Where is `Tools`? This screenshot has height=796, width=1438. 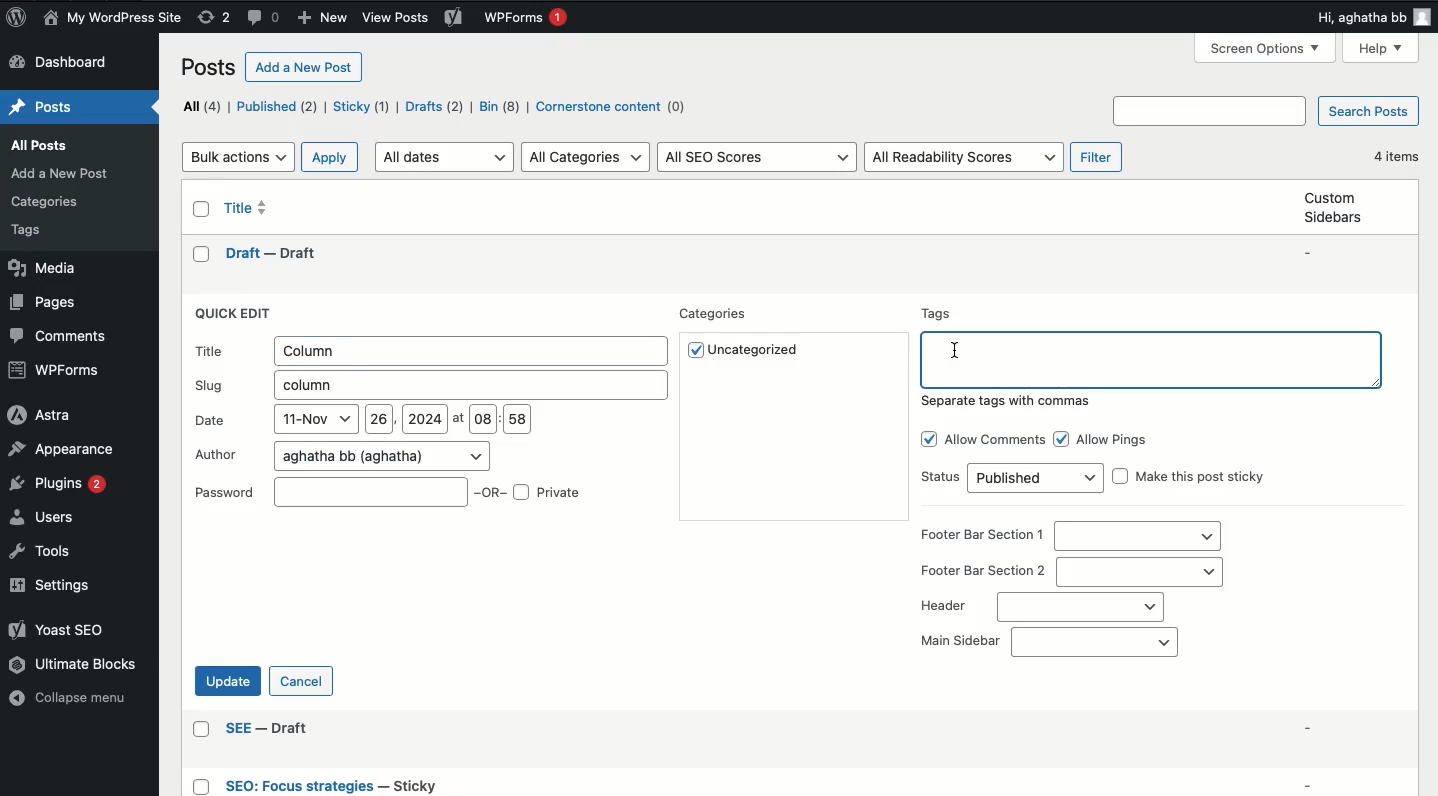
Tools is located at coordinates (48, 554).